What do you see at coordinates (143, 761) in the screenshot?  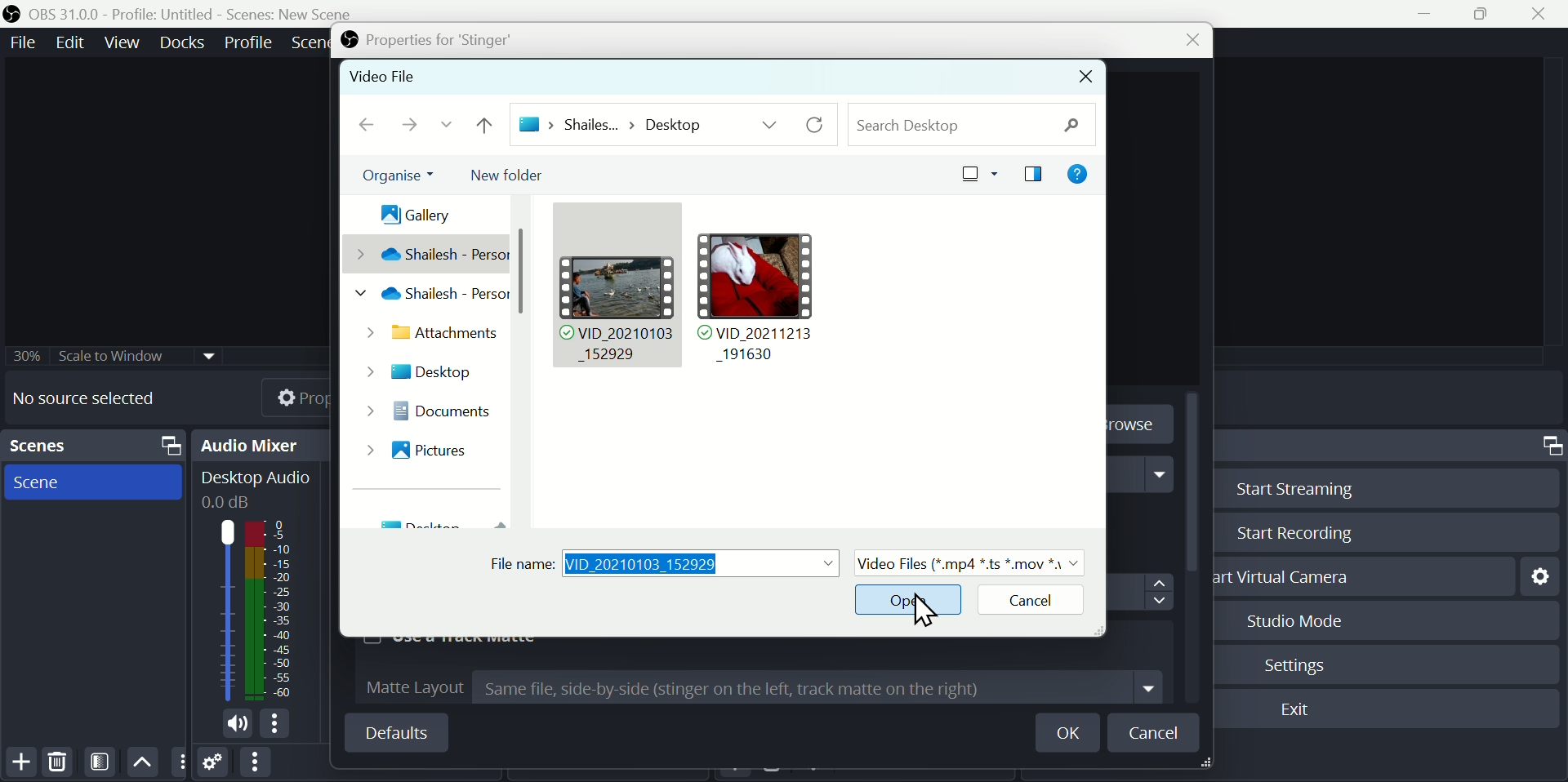 I see `Up` at bounding box center [143, 761].